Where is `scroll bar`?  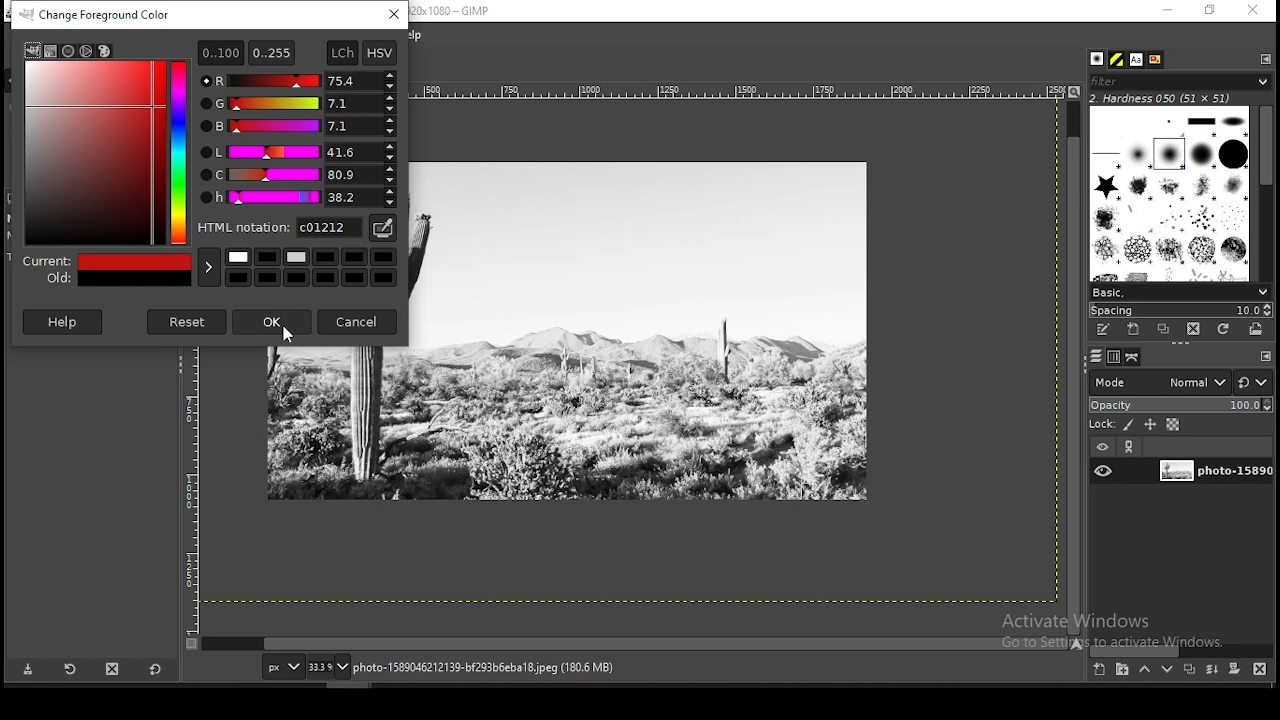
scroll bar is located at coordinates (1181, 650).